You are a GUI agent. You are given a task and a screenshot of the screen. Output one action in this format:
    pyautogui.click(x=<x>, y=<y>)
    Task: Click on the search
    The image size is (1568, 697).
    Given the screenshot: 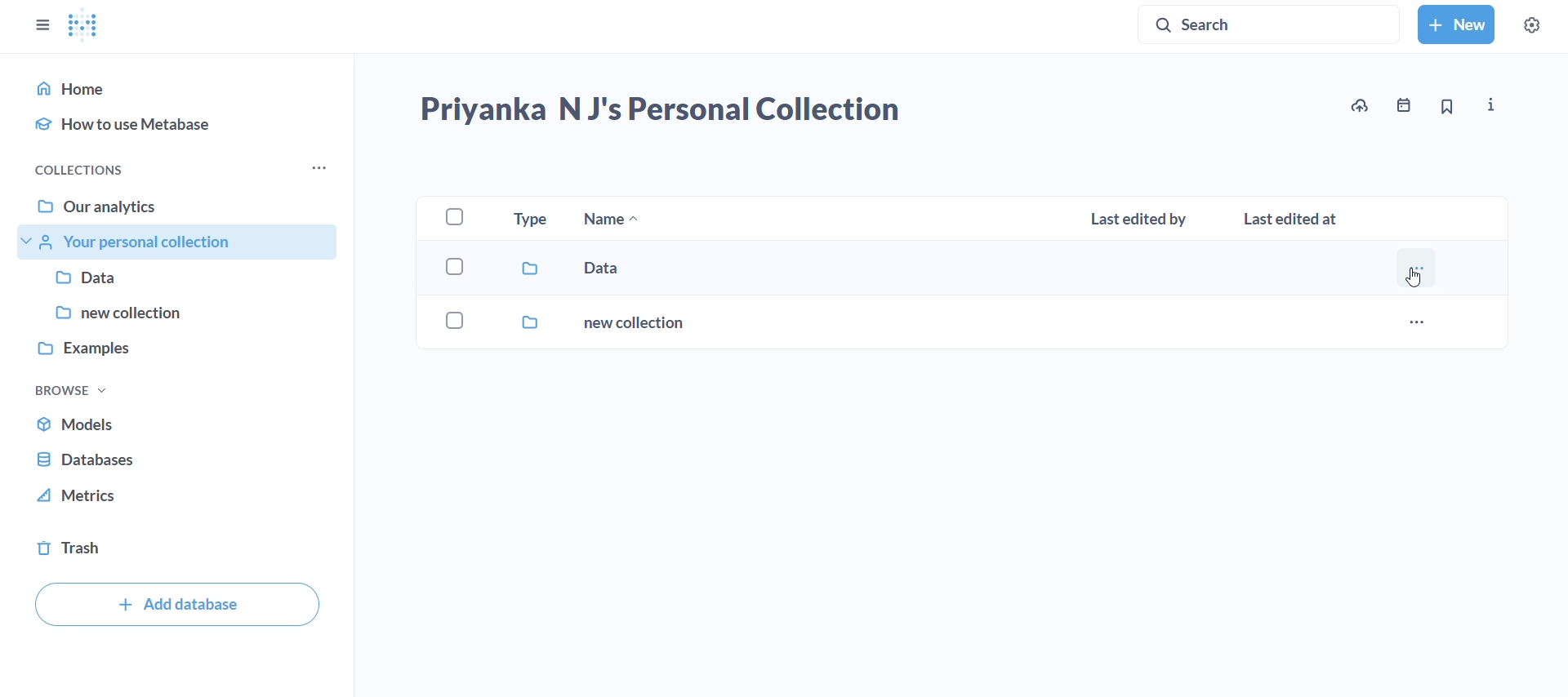 What is the action you would take?
    pyautogui.click(x=1274, y=24)
    